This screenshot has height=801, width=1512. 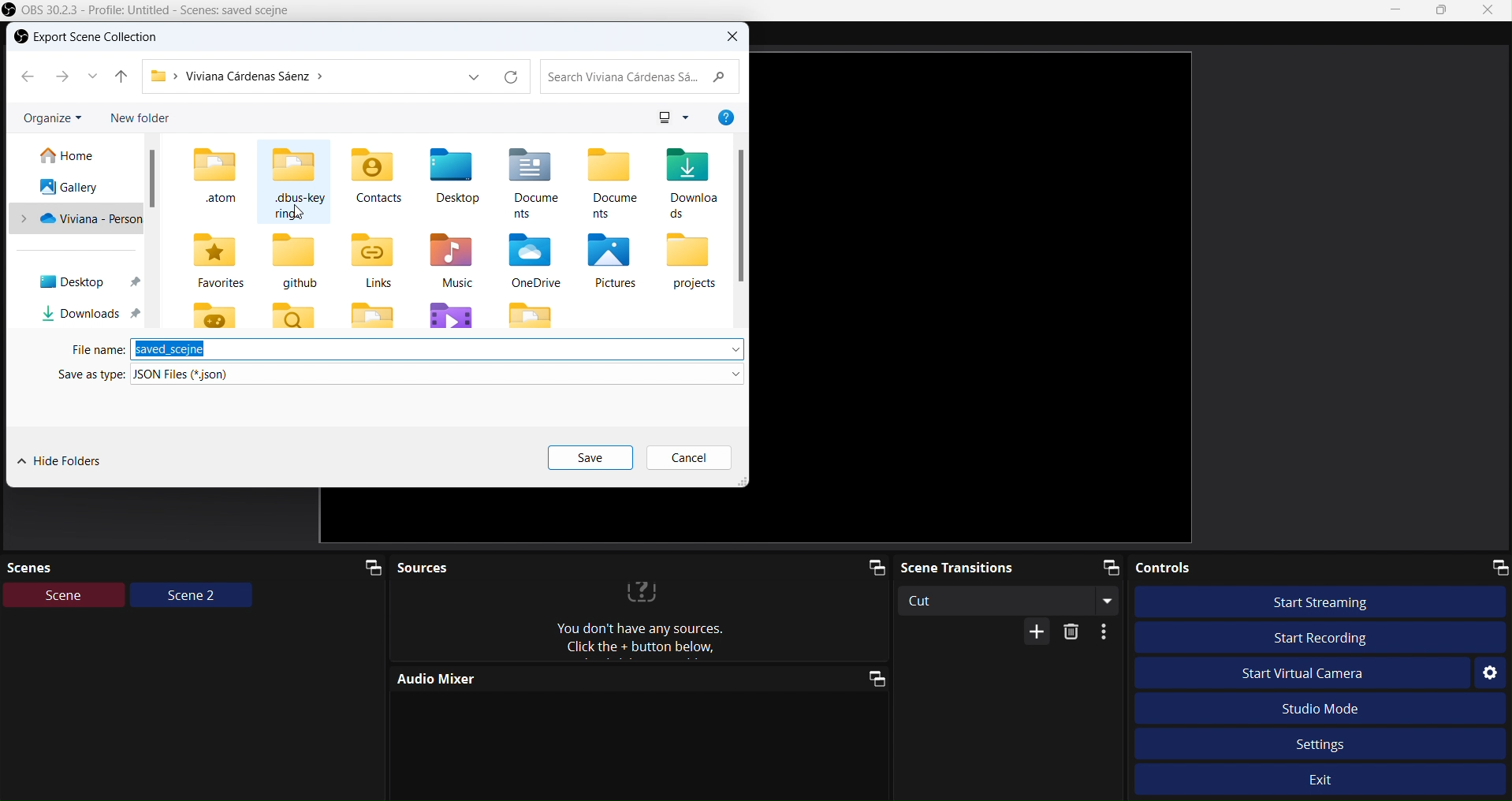 What do you see at coordinates (84, 313) in the screenshot?
I see `Downloads` at bounding box center [84, 313].